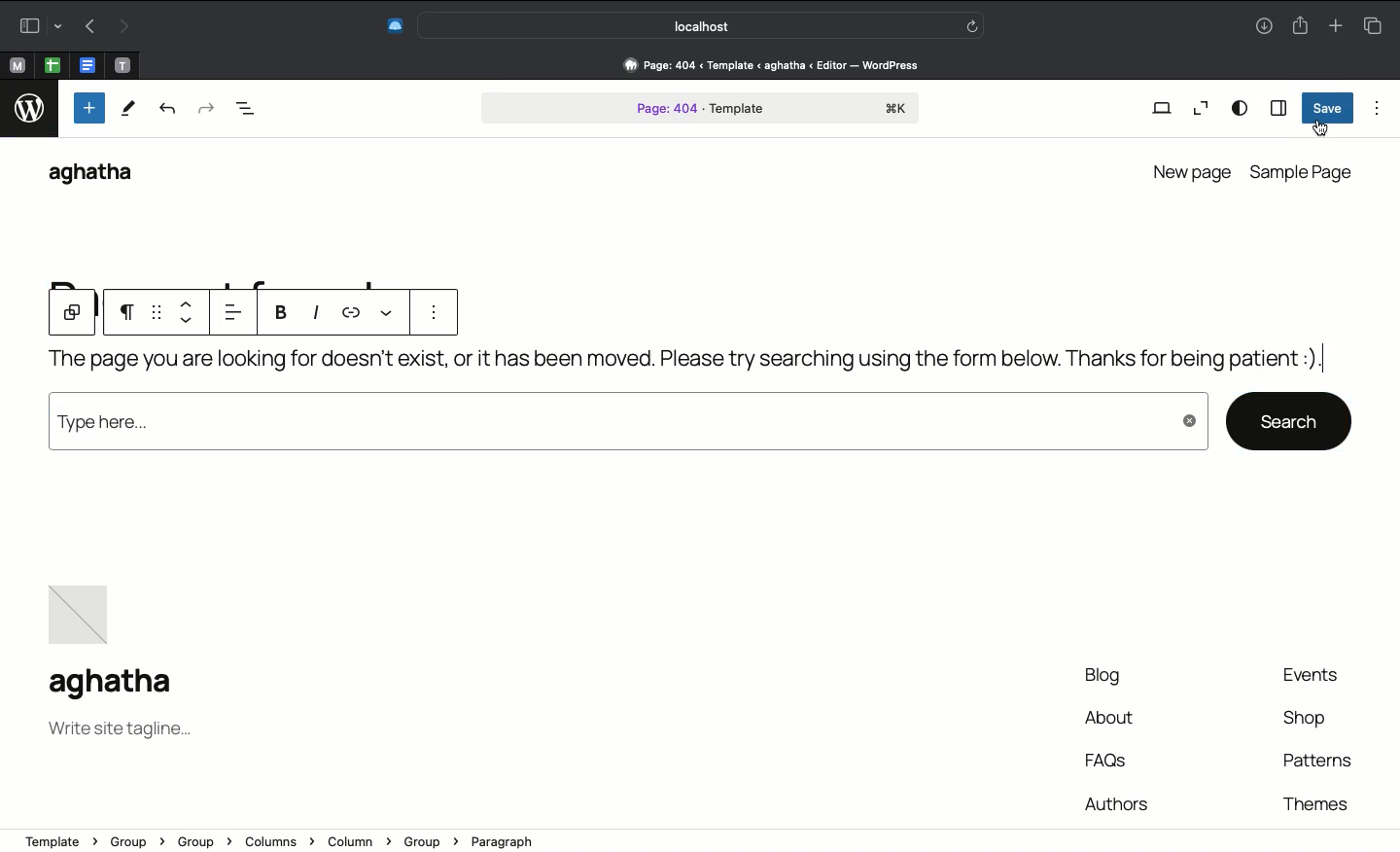 The image size is (1400, 852). I want to click on Sidebar, so click(37, 25).